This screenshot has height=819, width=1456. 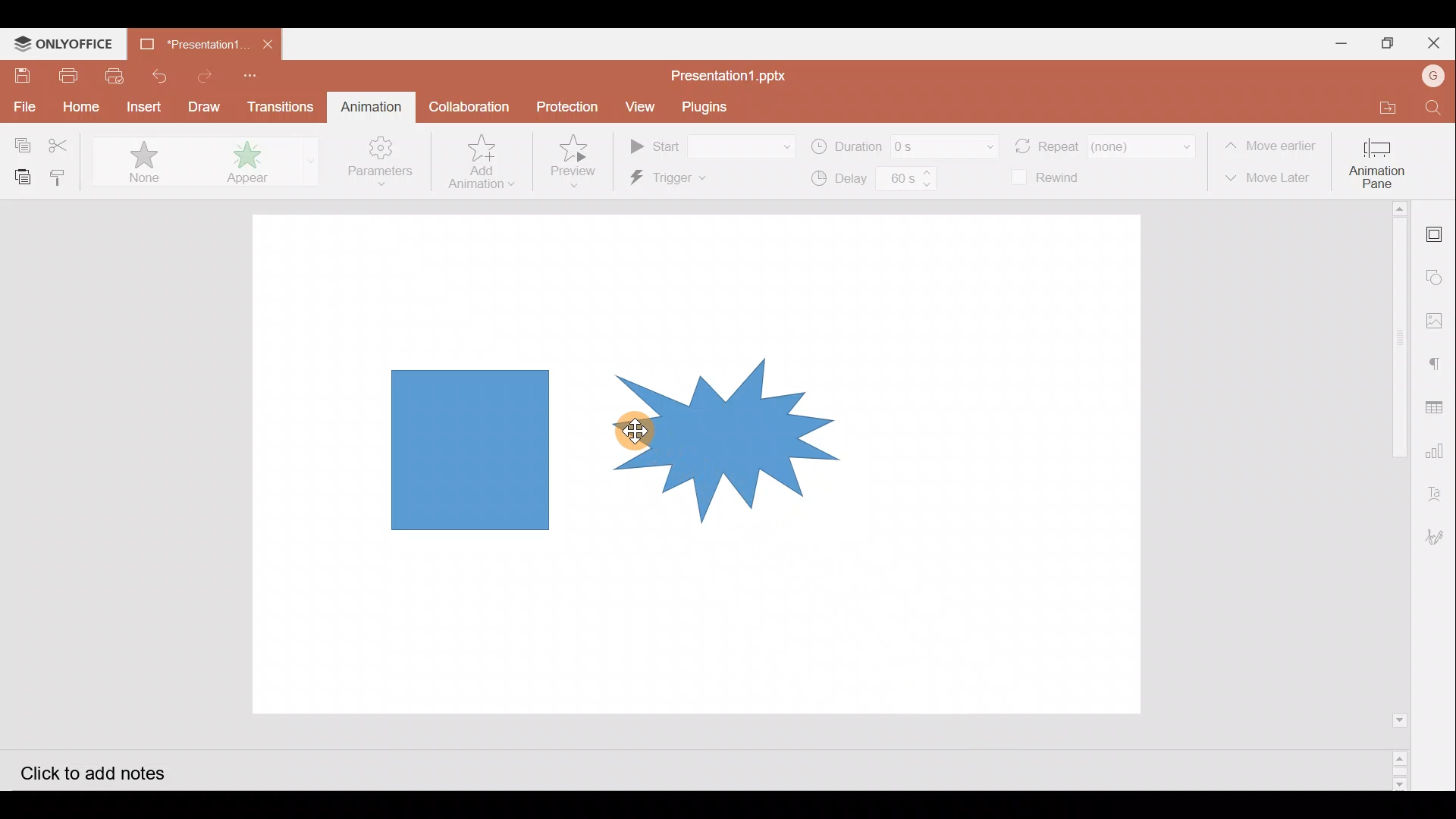 I want to click on Move earlier, so click(x=1273, y=146).